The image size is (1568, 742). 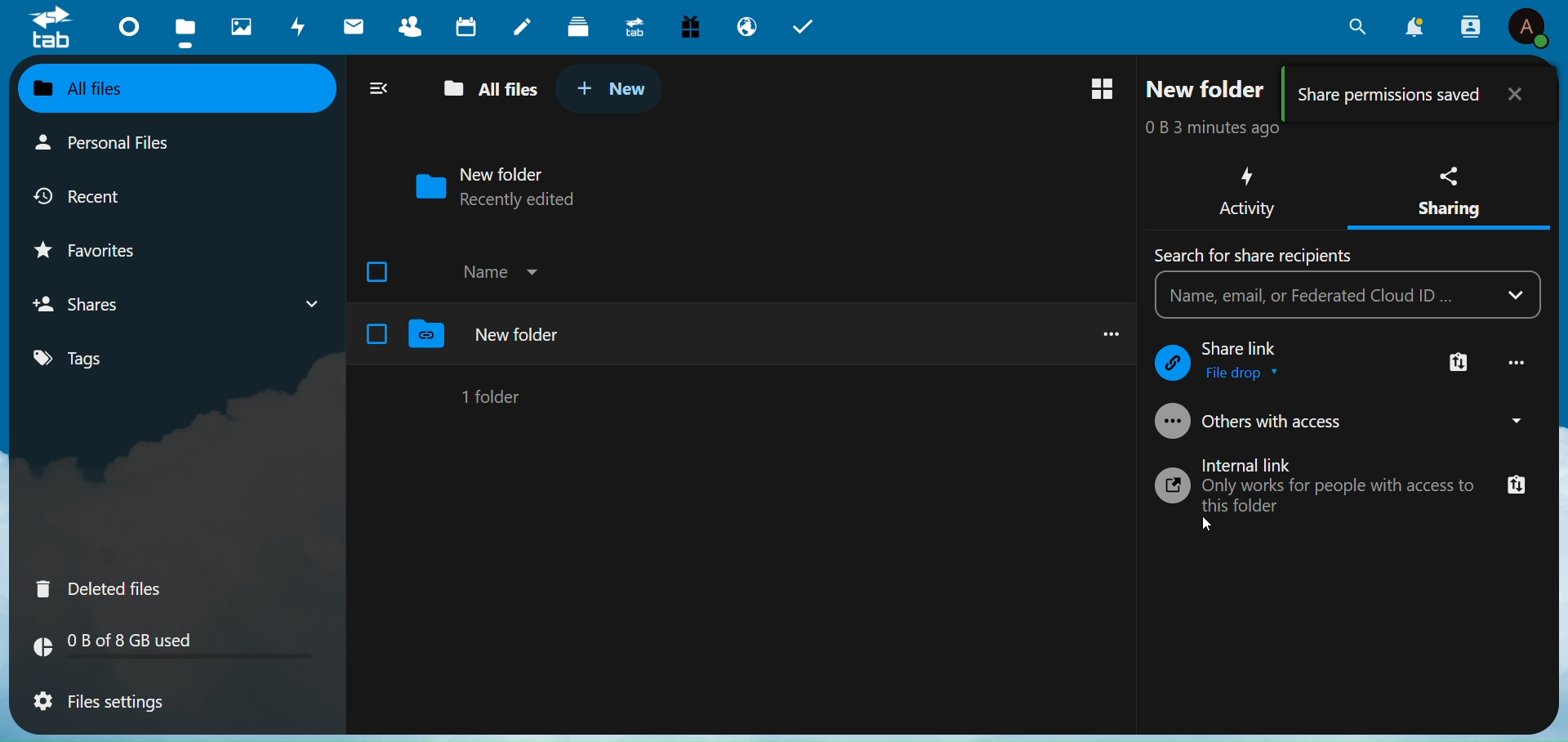 I want to click on Calendar, so click(x=467, y=26).